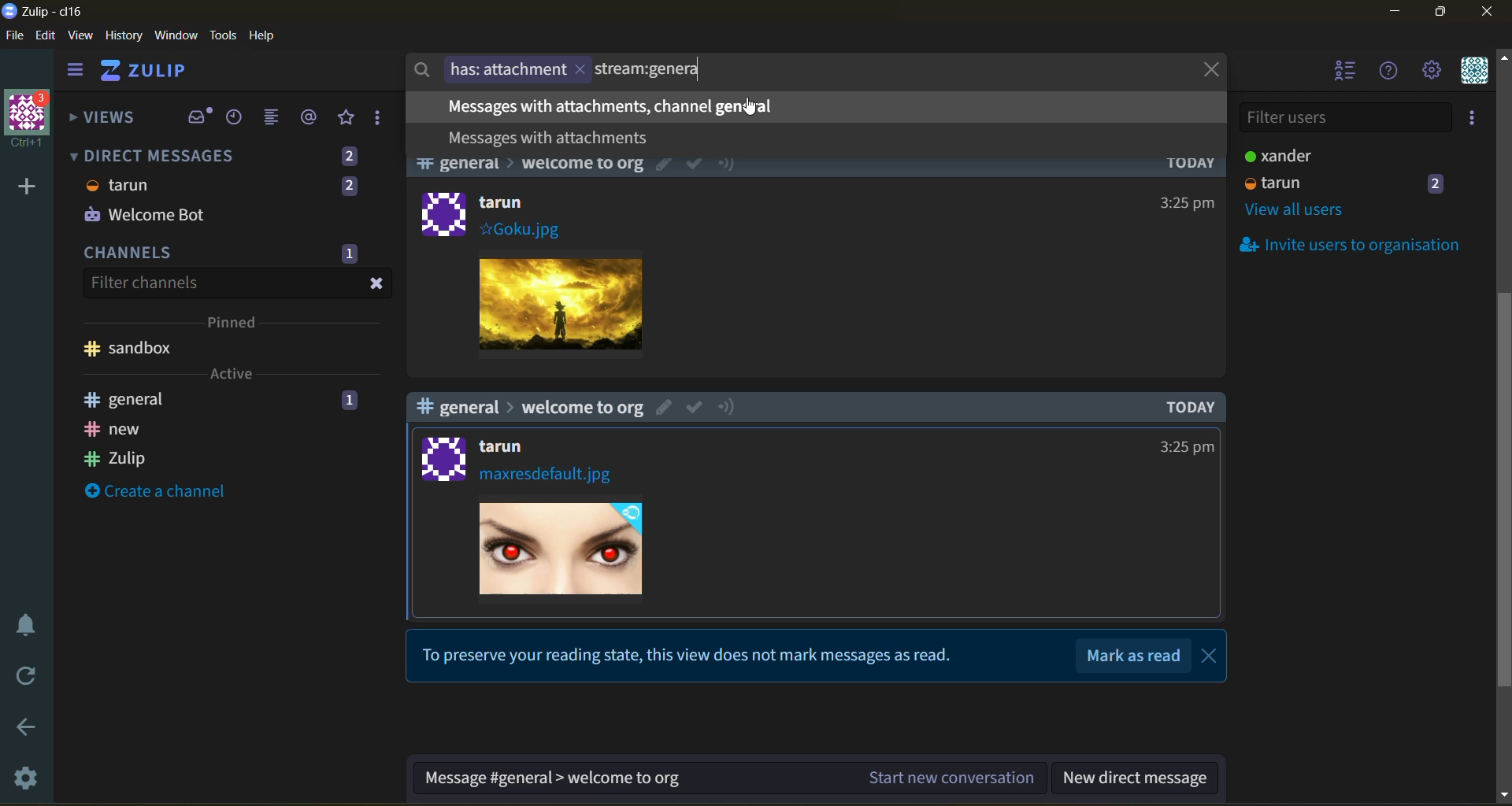 The height and width of the screenshot is (806, 1512). I want to click on personal menu, so click(1475, 71).